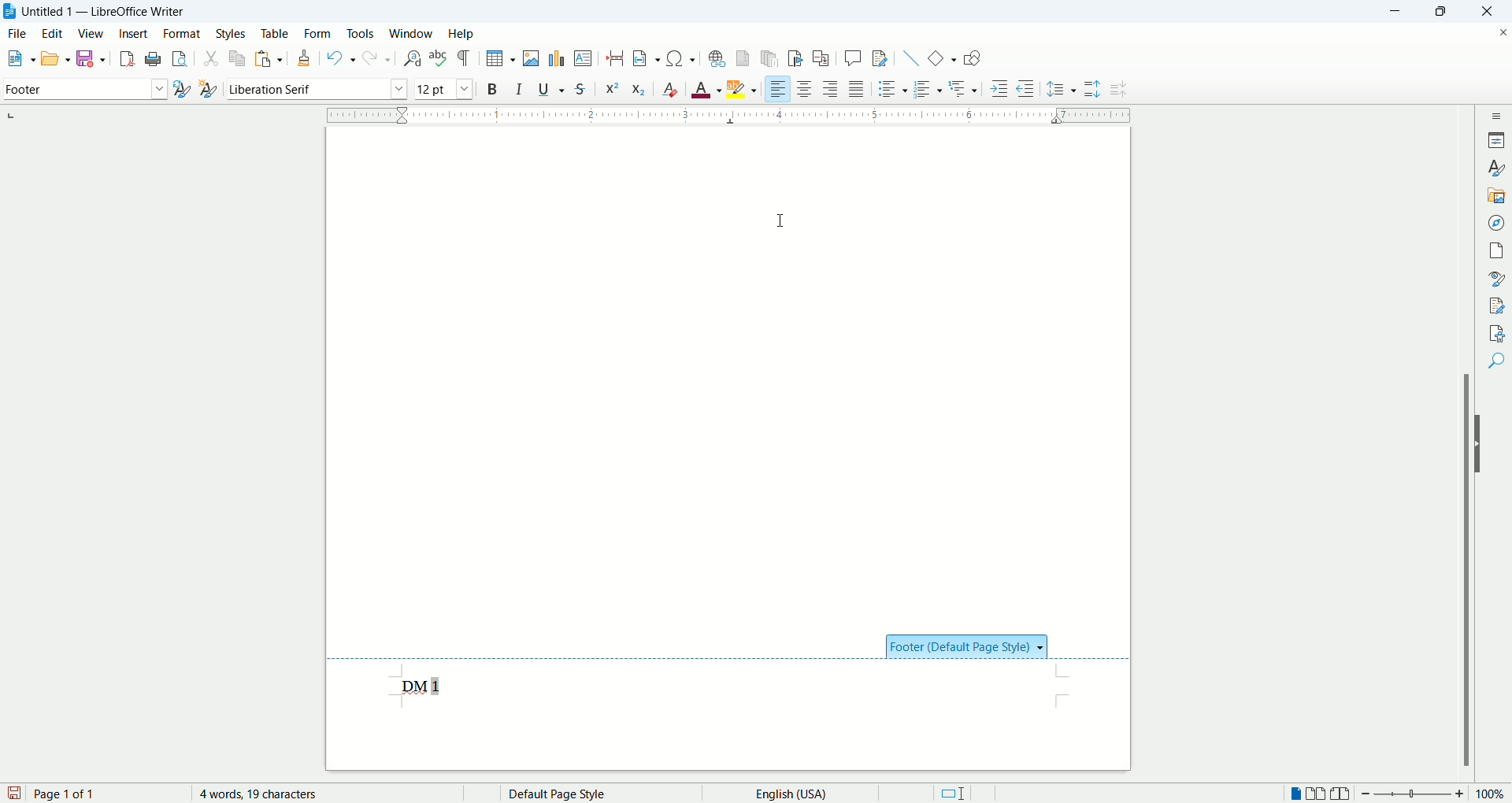 This screenshot has width=1512, height=803. I want to click on Untitled 1 - LibreOffice Writer, so click(107, 11).